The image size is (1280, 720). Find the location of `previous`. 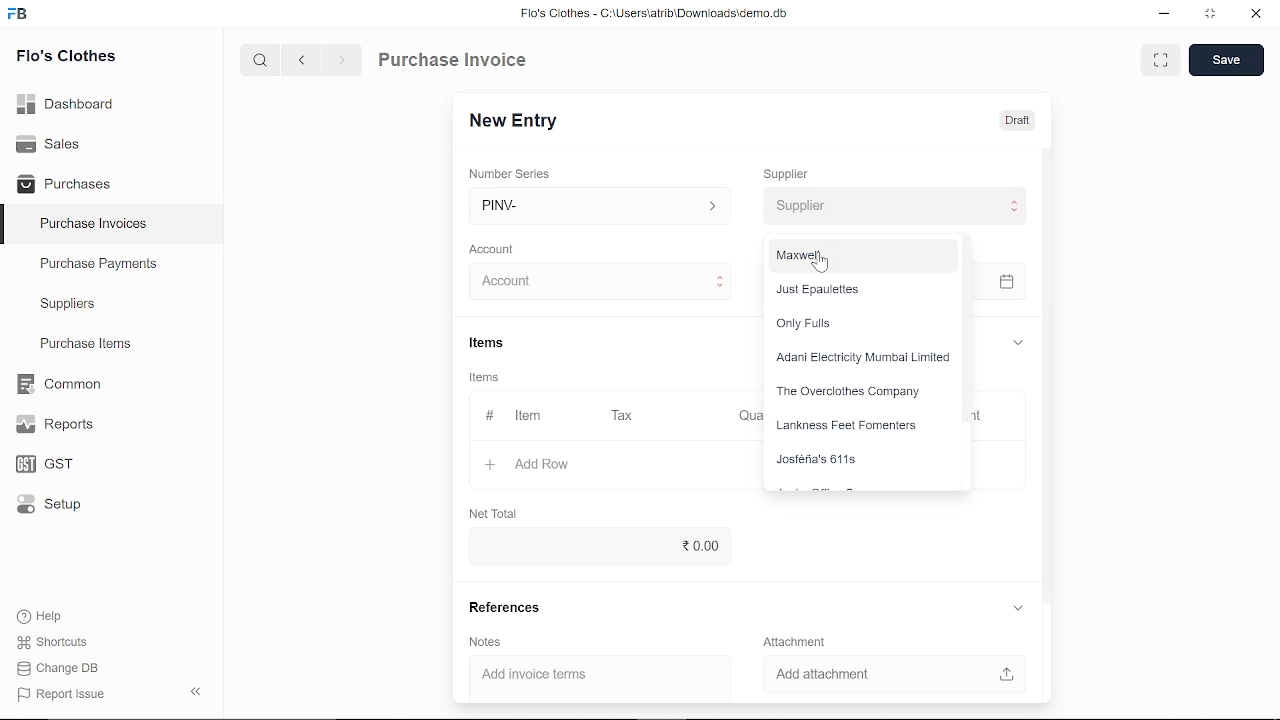

previous is located at coordinates (303, 62).